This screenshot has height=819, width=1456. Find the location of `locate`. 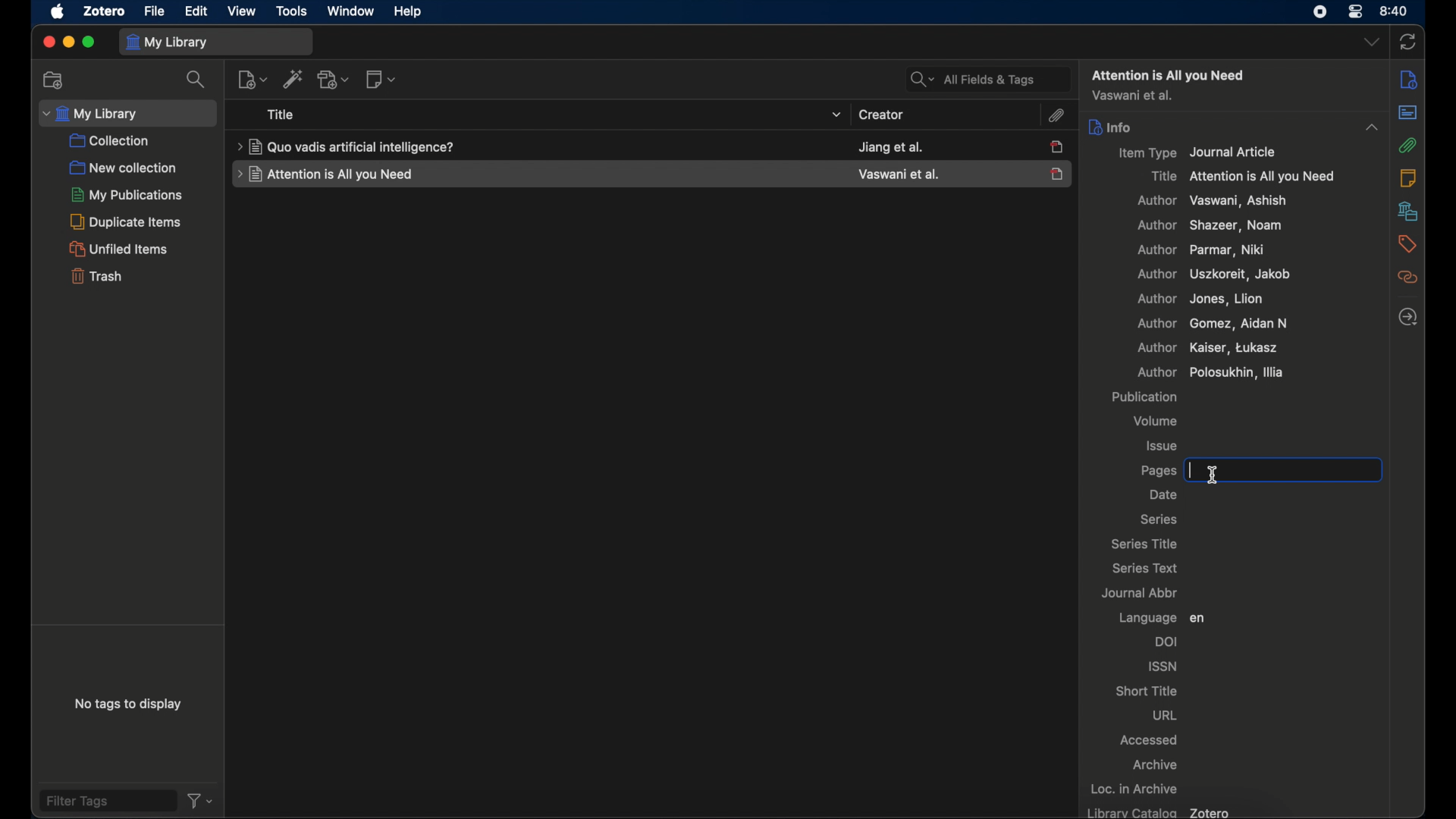

locate is located at coordinates (1408, 317).